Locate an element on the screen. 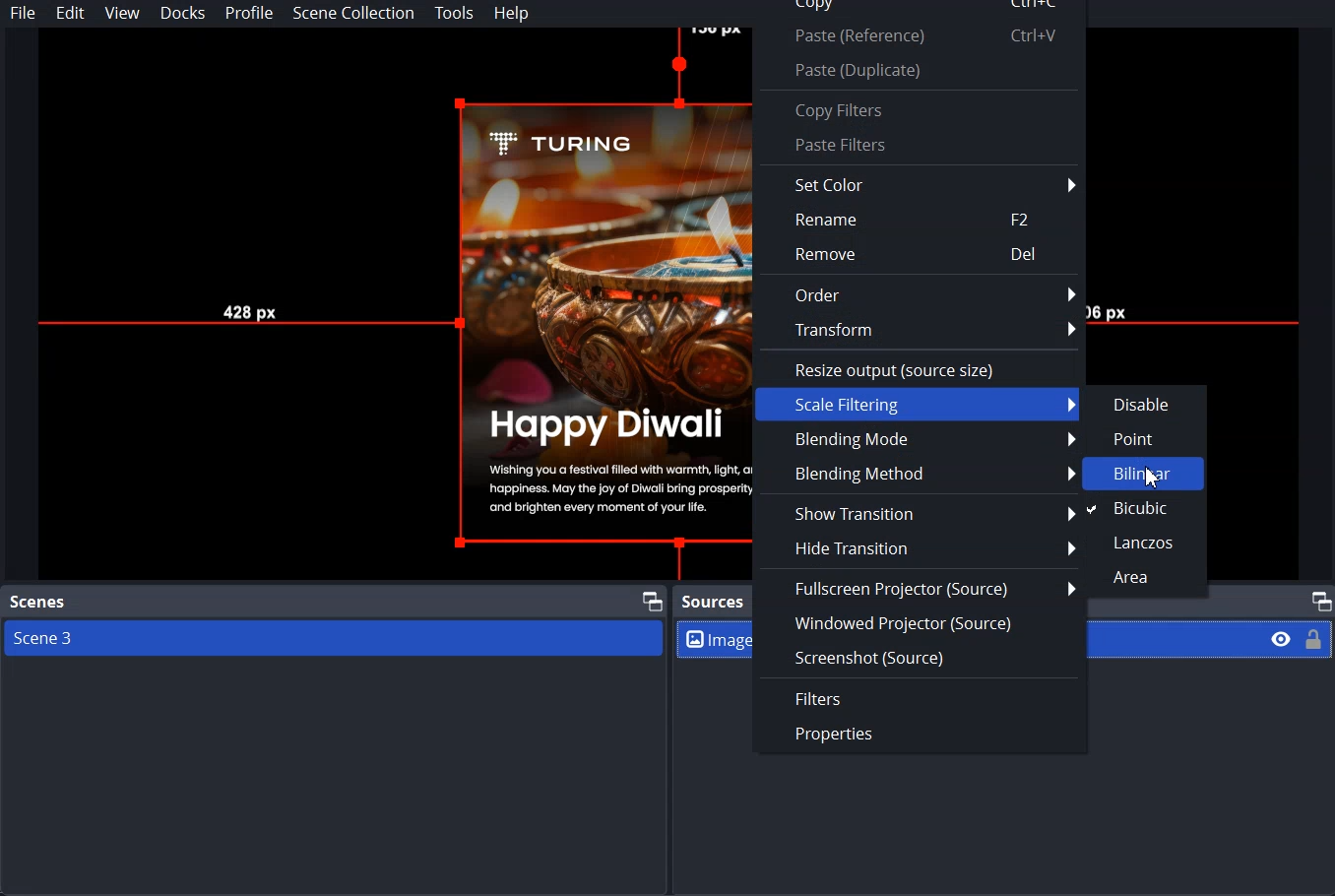 The width and height of the screenshot is (1335, 896). Docks is located at coordinates (184, 13).